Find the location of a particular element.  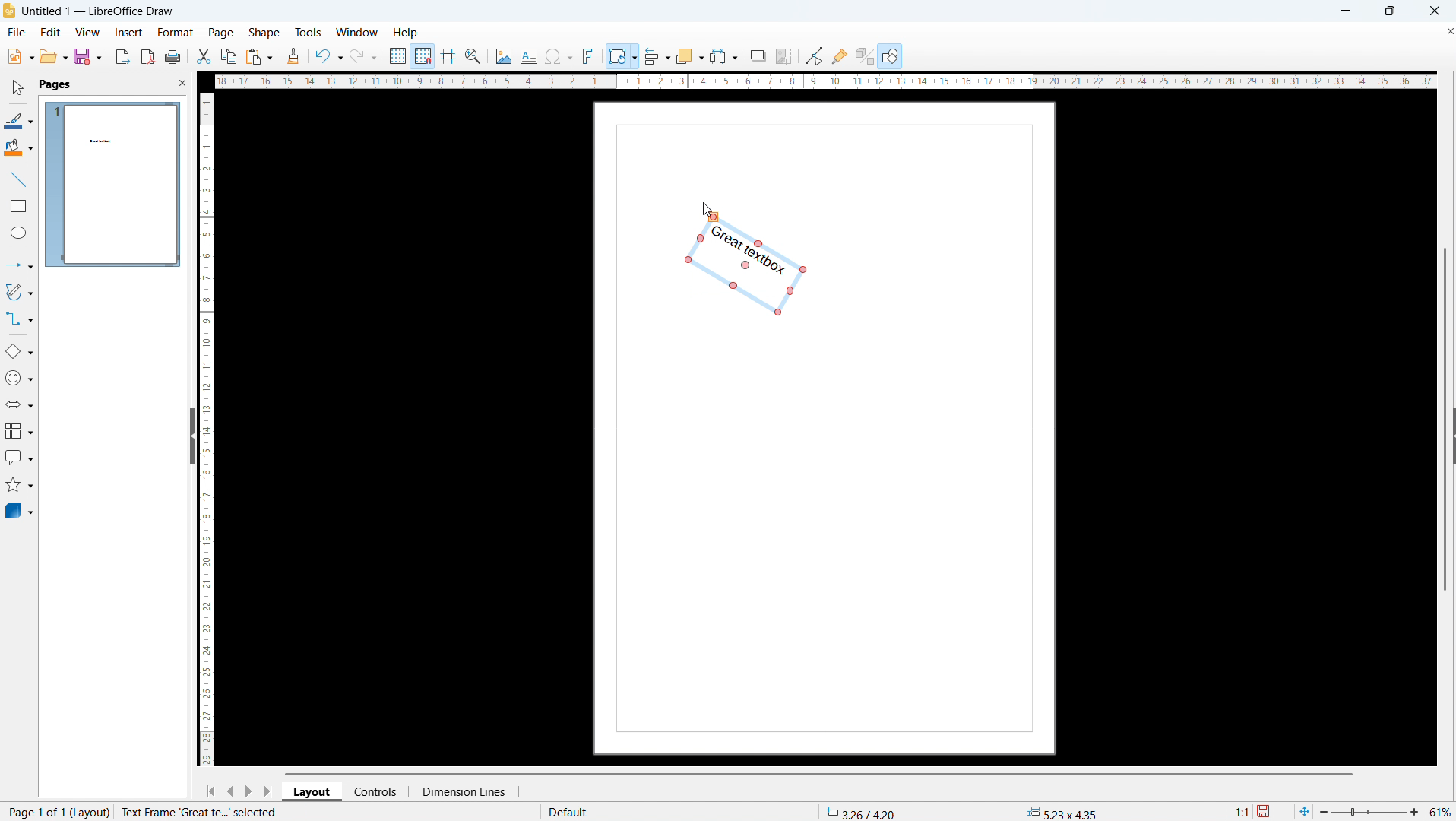

show grid is located at coordinates (397, 55).